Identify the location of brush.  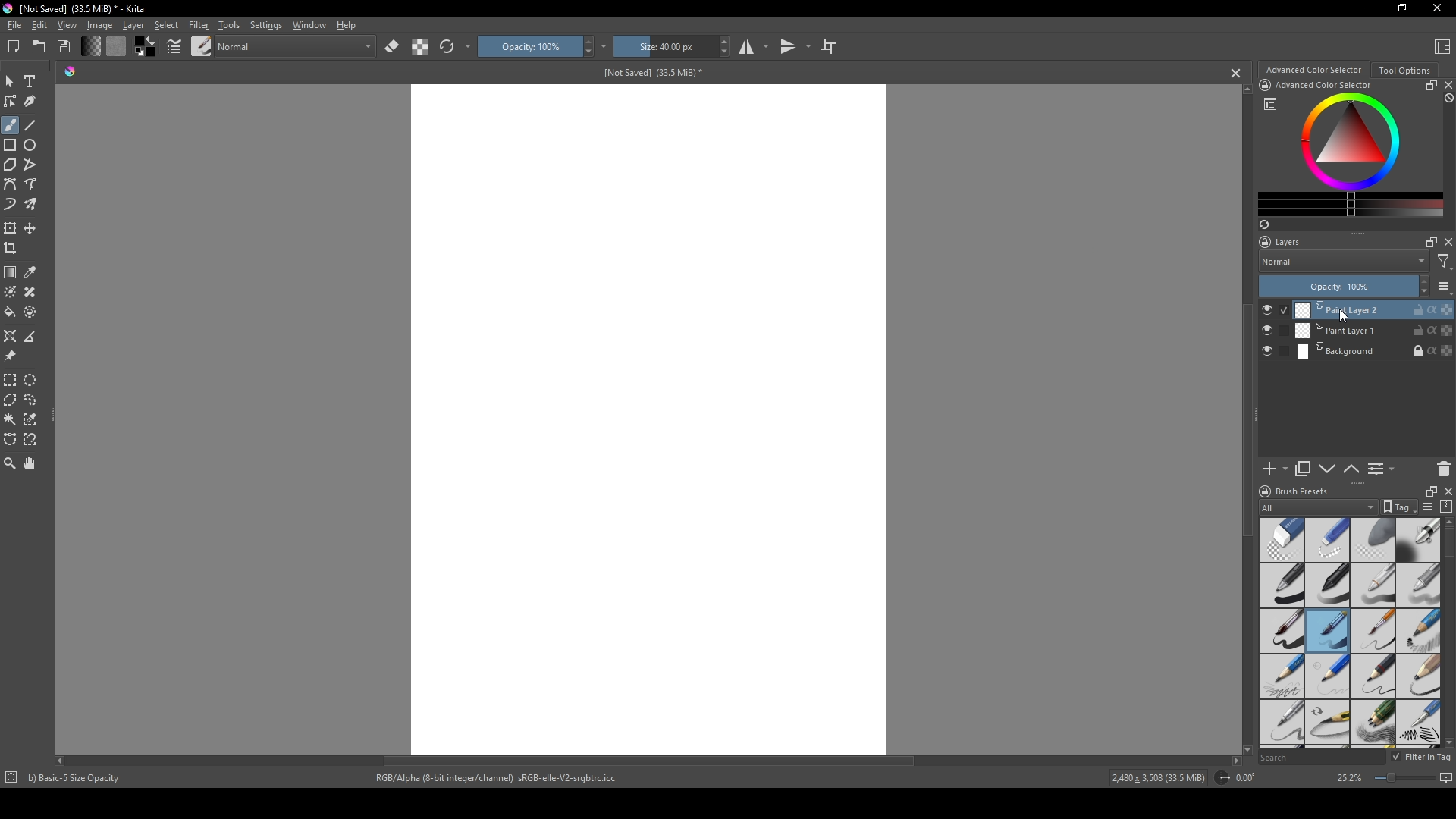
(202, 45).